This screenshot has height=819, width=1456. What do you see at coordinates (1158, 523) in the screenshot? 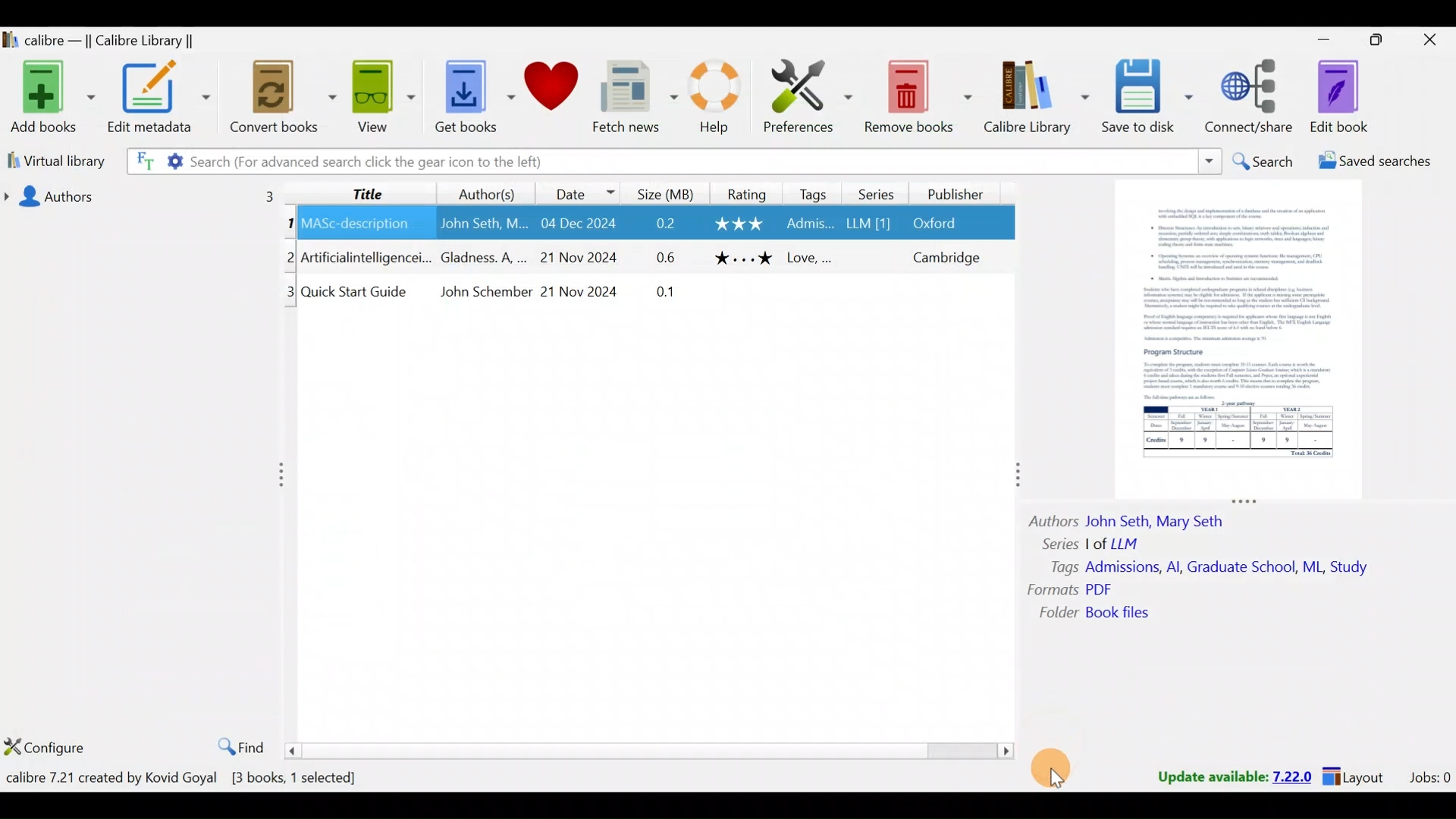
I see `` at bounding box center [1158, 523].